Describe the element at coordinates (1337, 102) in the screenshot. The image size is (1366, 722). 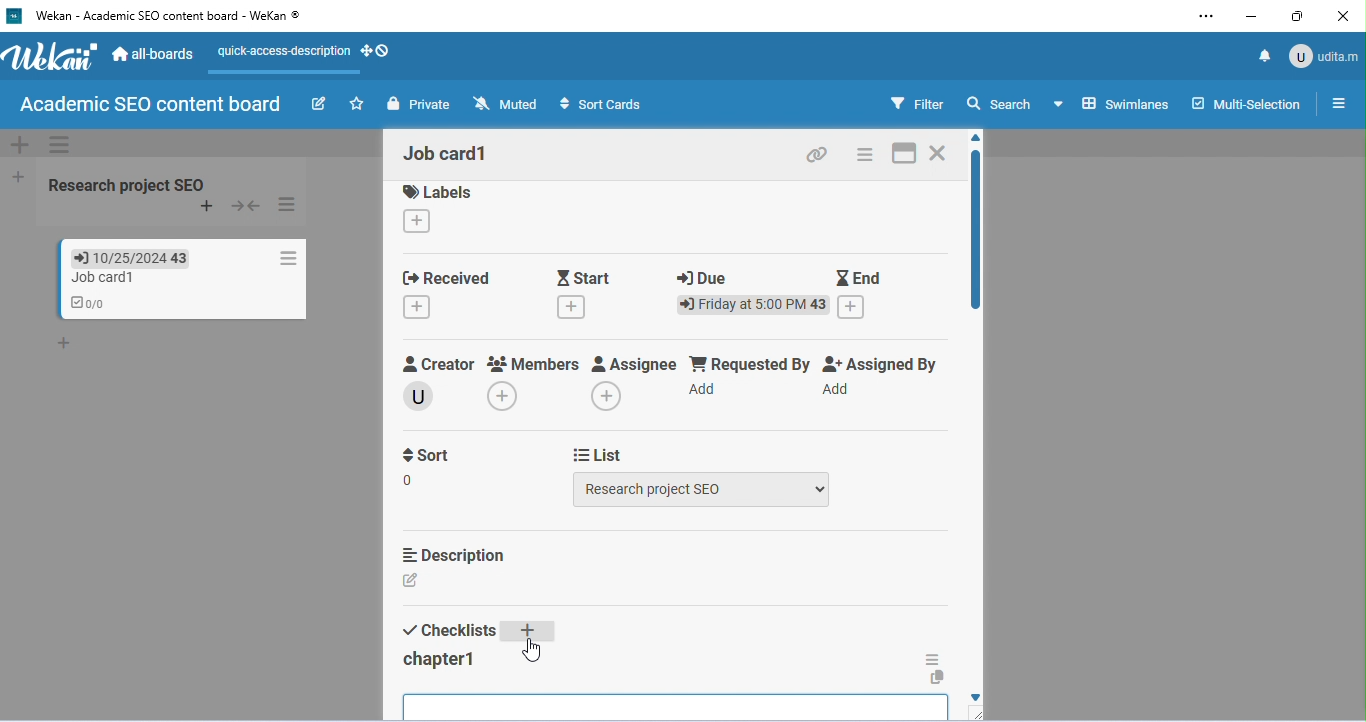
I see `open / close side bar` at that location.